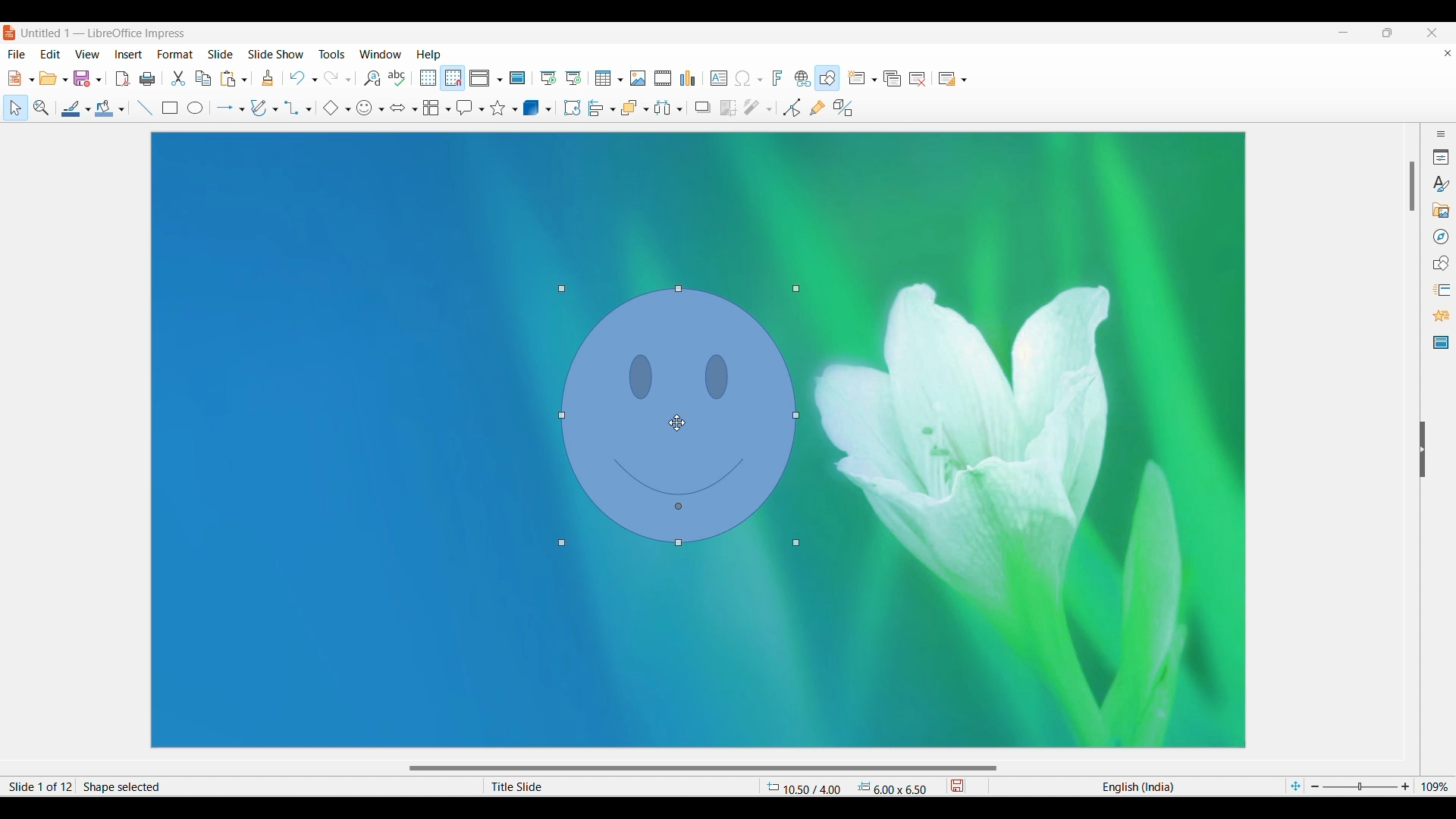  What do you see at coordinates (453, 79) in the screenshot?
I see `Snap to grid` at bounding box center [453, 79].